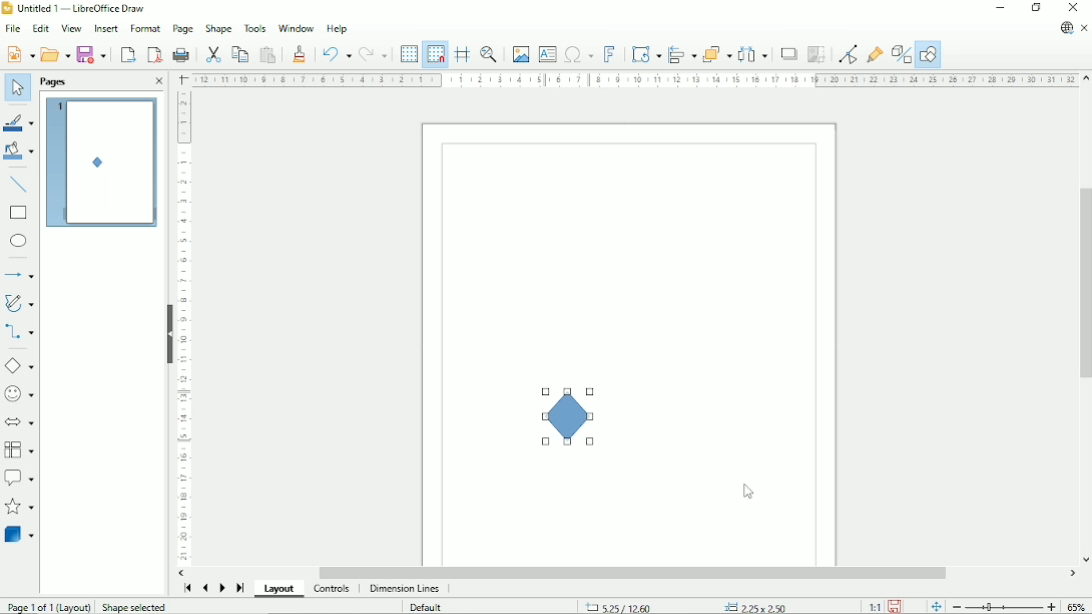 This screenshot has height=614, width=1092. I want to click on Align objects, so click(682, 53).